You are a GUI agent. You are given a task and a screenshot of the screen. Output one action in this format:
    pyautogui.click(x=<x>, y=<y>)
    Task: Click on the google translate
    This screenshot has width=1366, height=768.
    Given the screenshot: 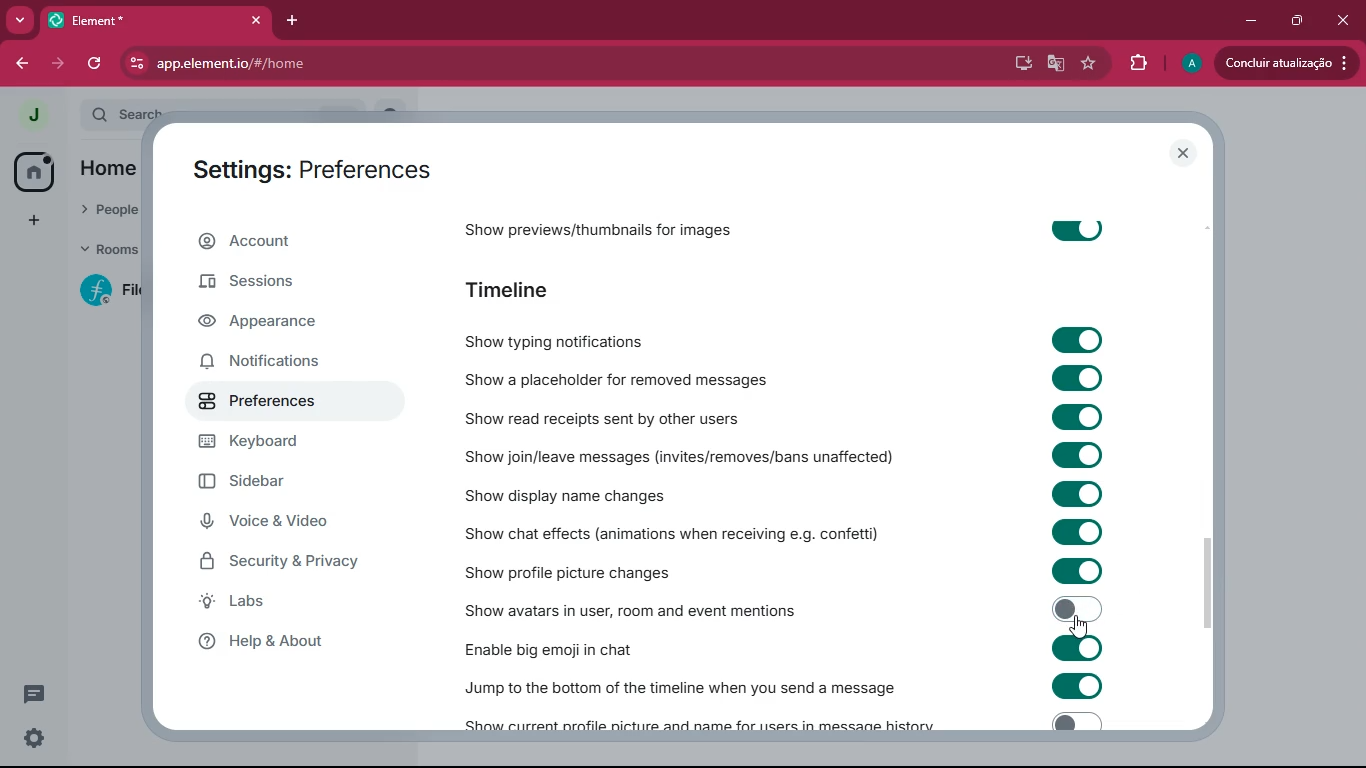 What is the action you would take?
    pyautogui.click(x=1056, y=66)
    